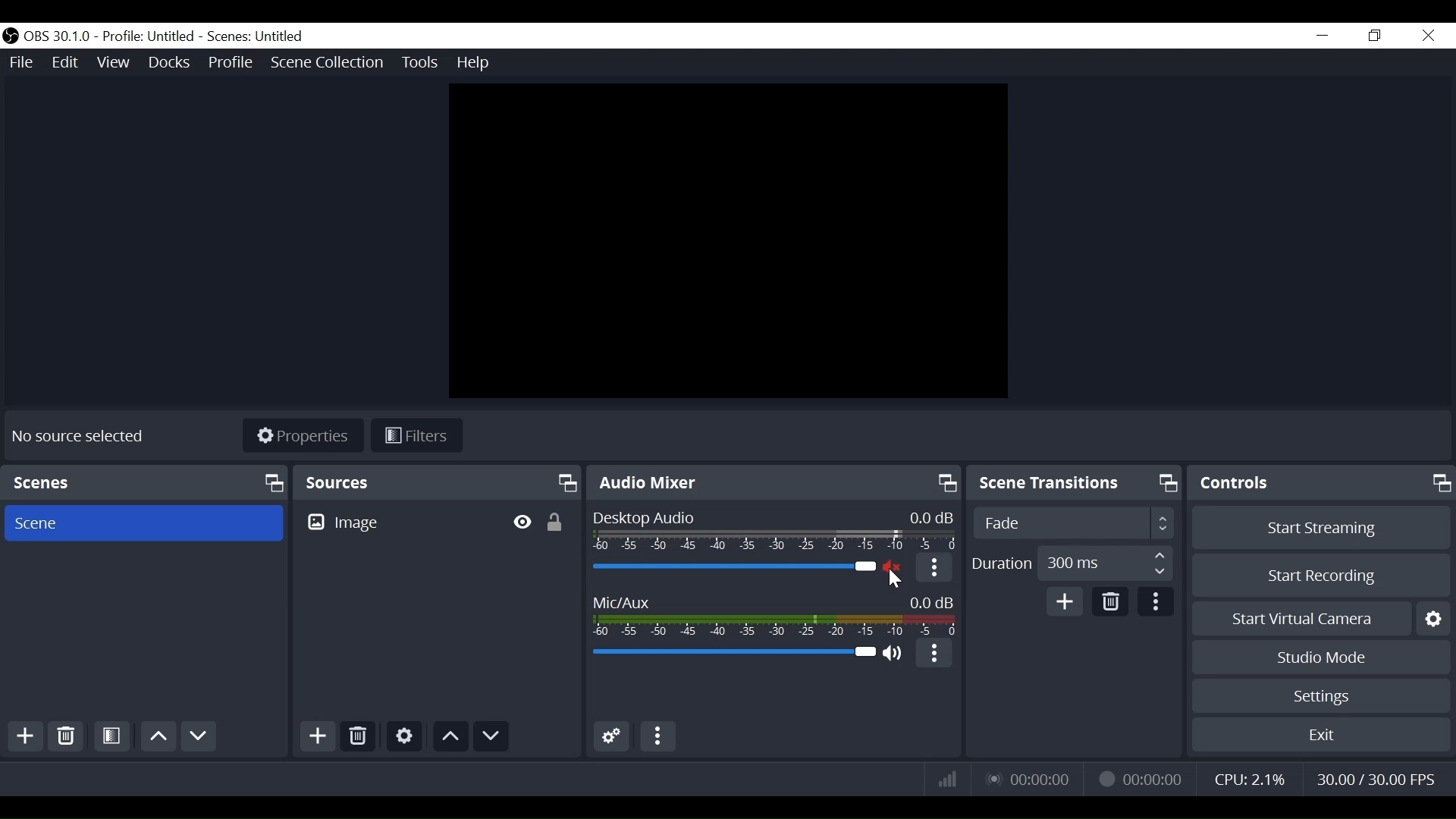 The height and width of the screenshot is (819, 1456). I want to click on Add, so click(316, 736).